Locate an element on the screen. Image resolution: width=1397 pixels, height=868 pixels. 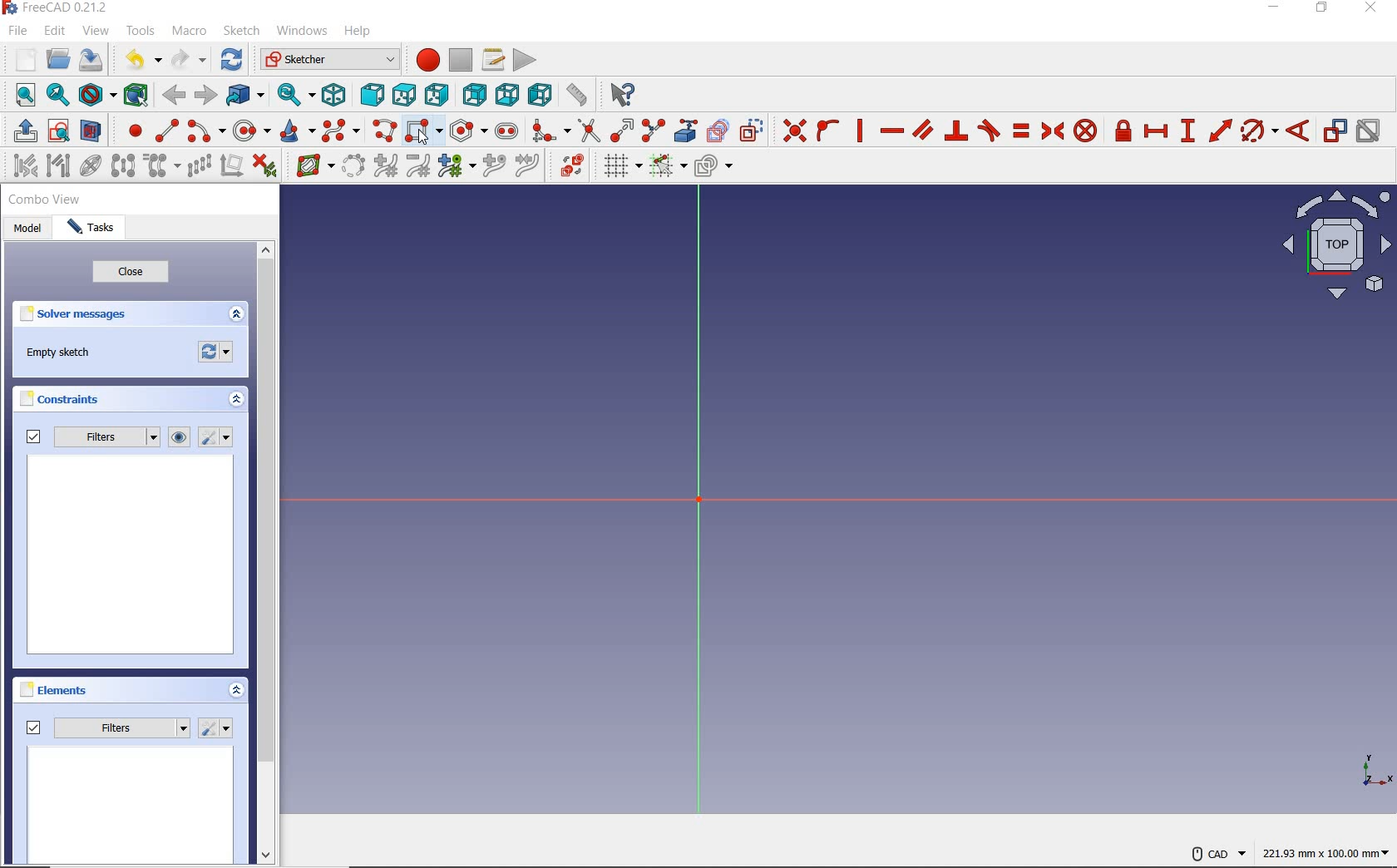
view section is located at coordinates (94, 131).